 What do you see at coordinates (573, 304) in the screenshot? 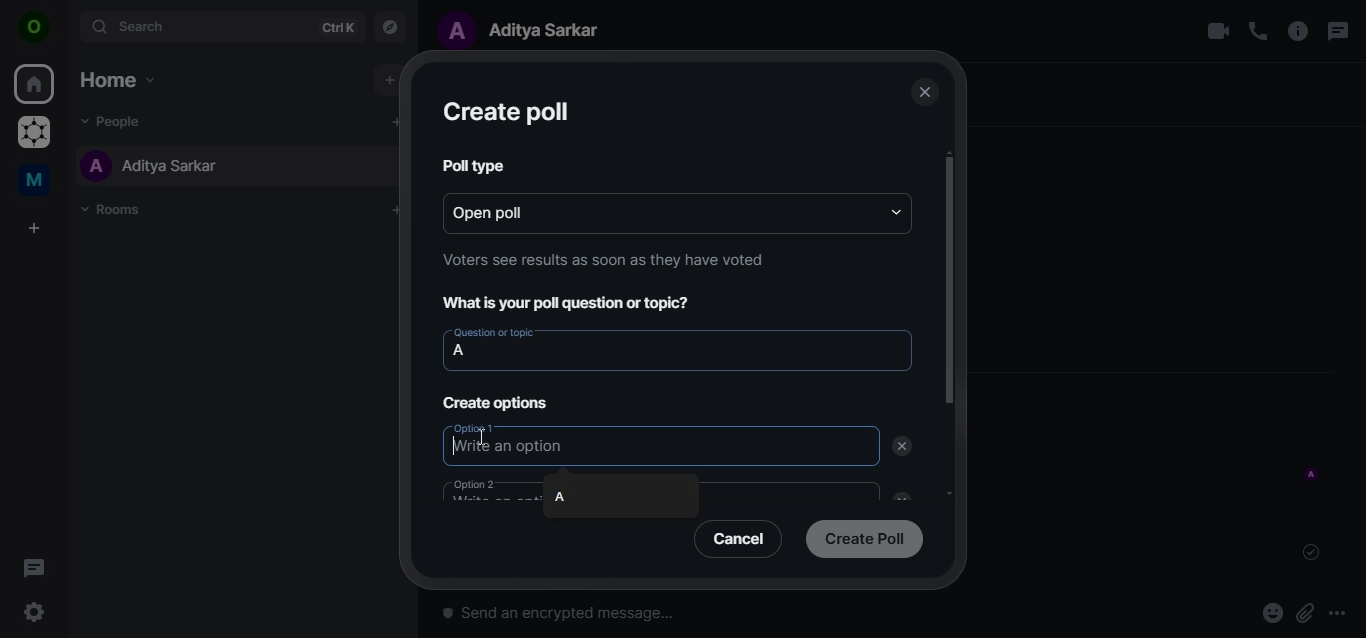
I see `What is your poll question or topic?` at bounding box center [573, 304].